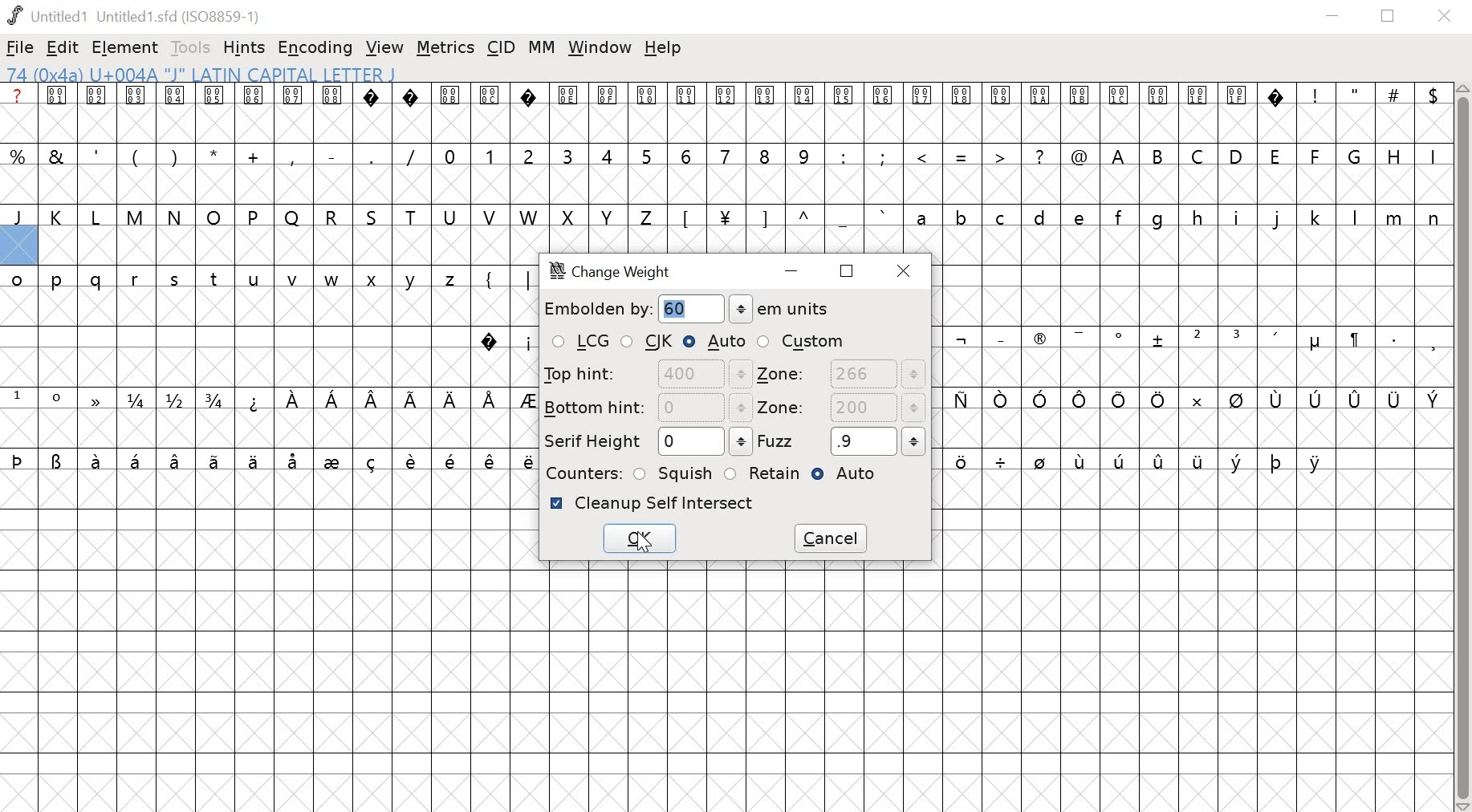 The height and width of the screenshot is (812, 1472). Describe the element at coordinates (1176, 217) in the screenshot. I see `lower case letter` at that location.